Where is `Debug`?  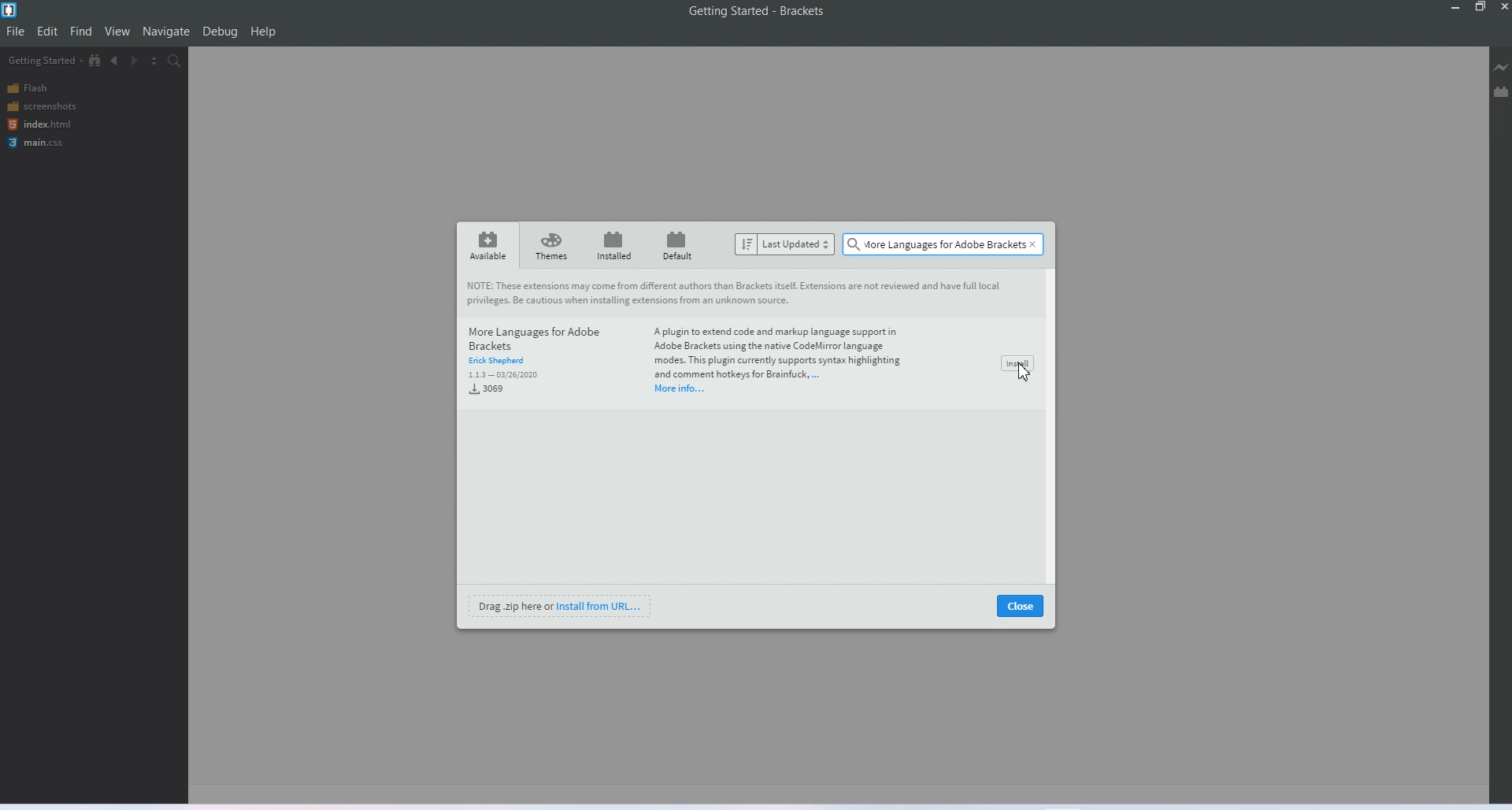 Debug is located at coordinates (219, 32).